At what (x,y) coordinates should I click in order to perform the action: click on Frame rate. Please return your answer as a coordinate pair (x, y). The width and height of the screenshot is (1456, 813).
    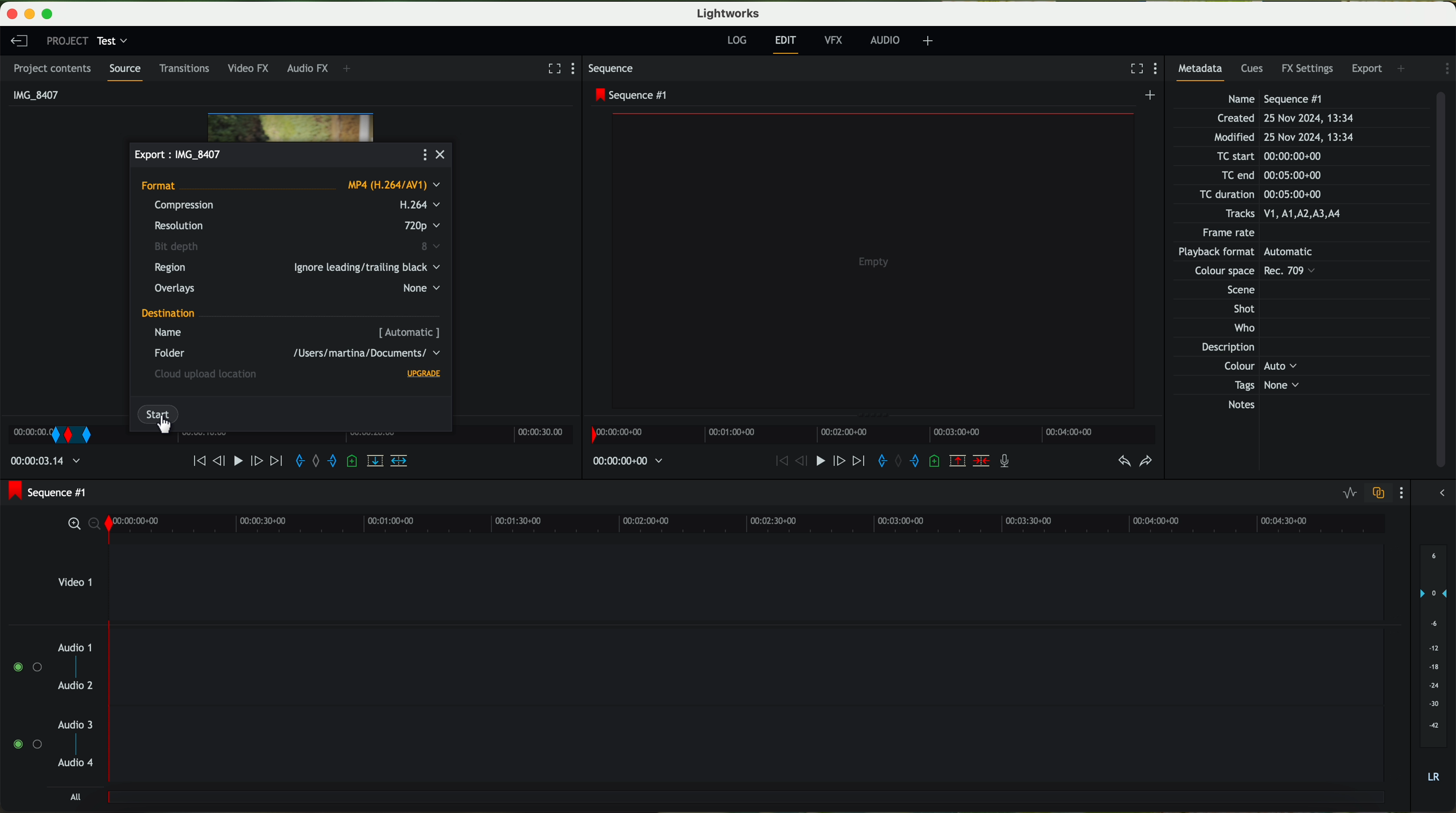
    Looking at the image, I should click on (1232, 235).